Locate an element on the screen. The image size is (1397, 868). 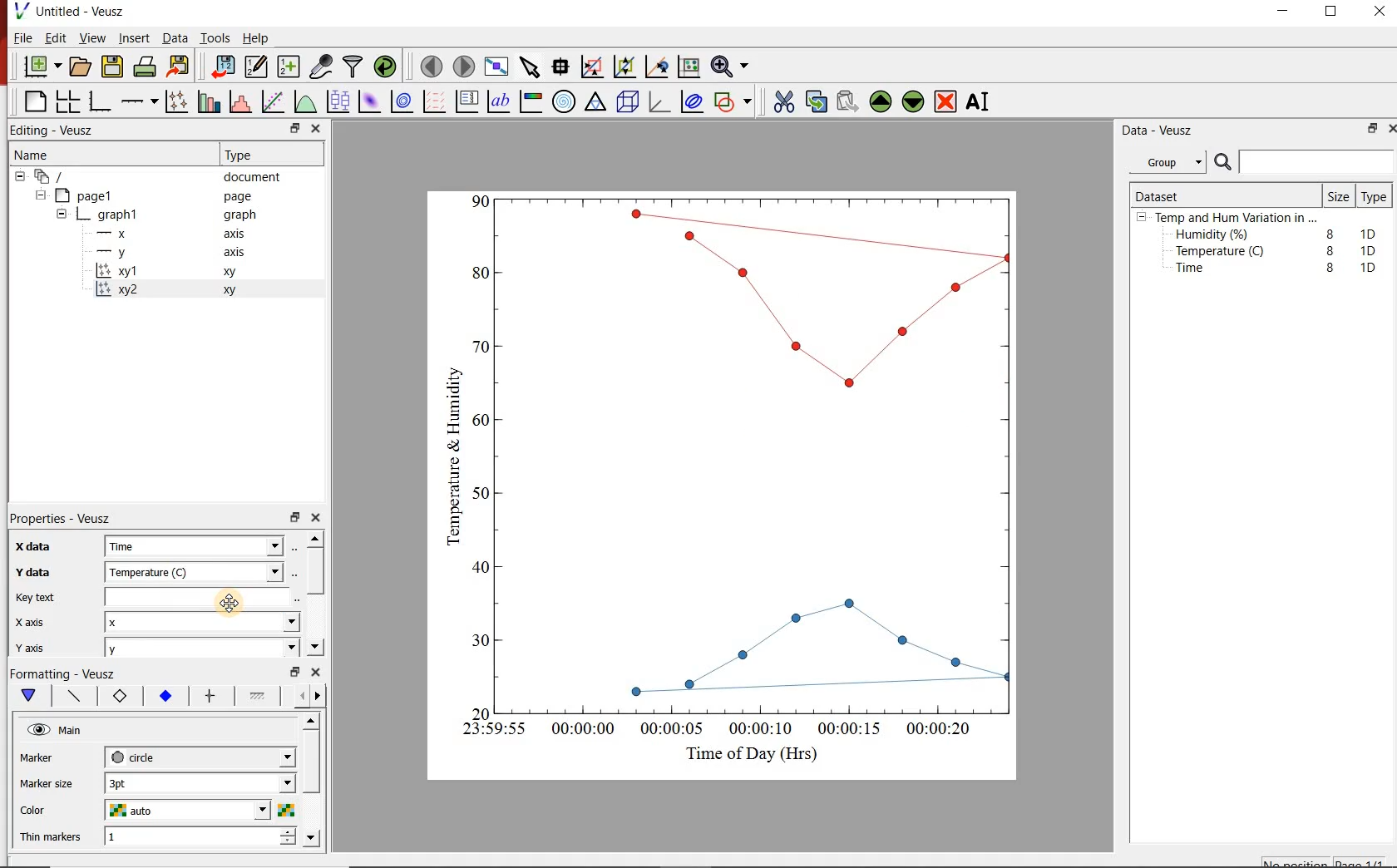
fill 1 is located at coordinates (259, 697).